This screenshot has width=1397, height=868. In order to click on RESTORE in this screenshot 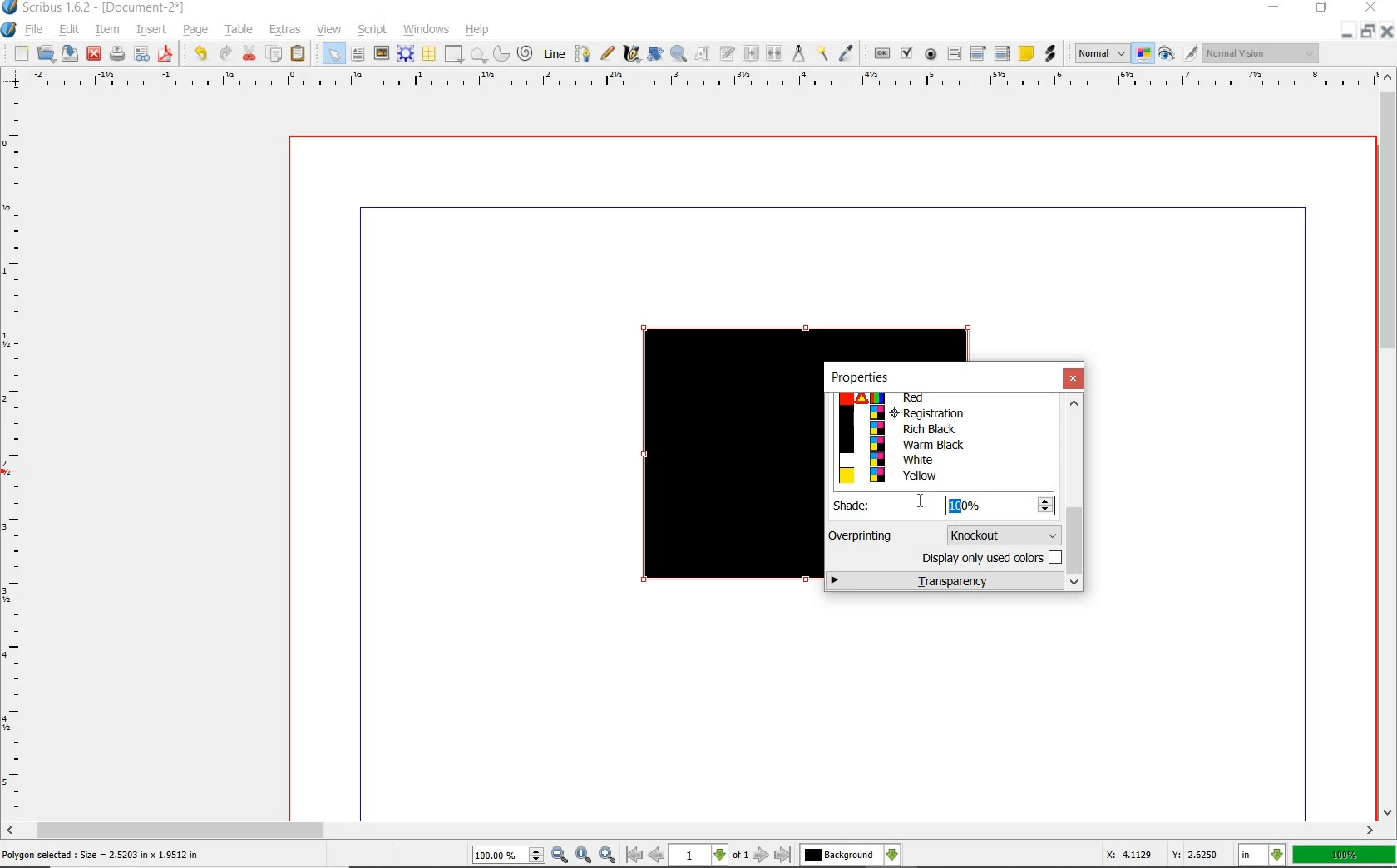, I will do `click(1321, 11)`.